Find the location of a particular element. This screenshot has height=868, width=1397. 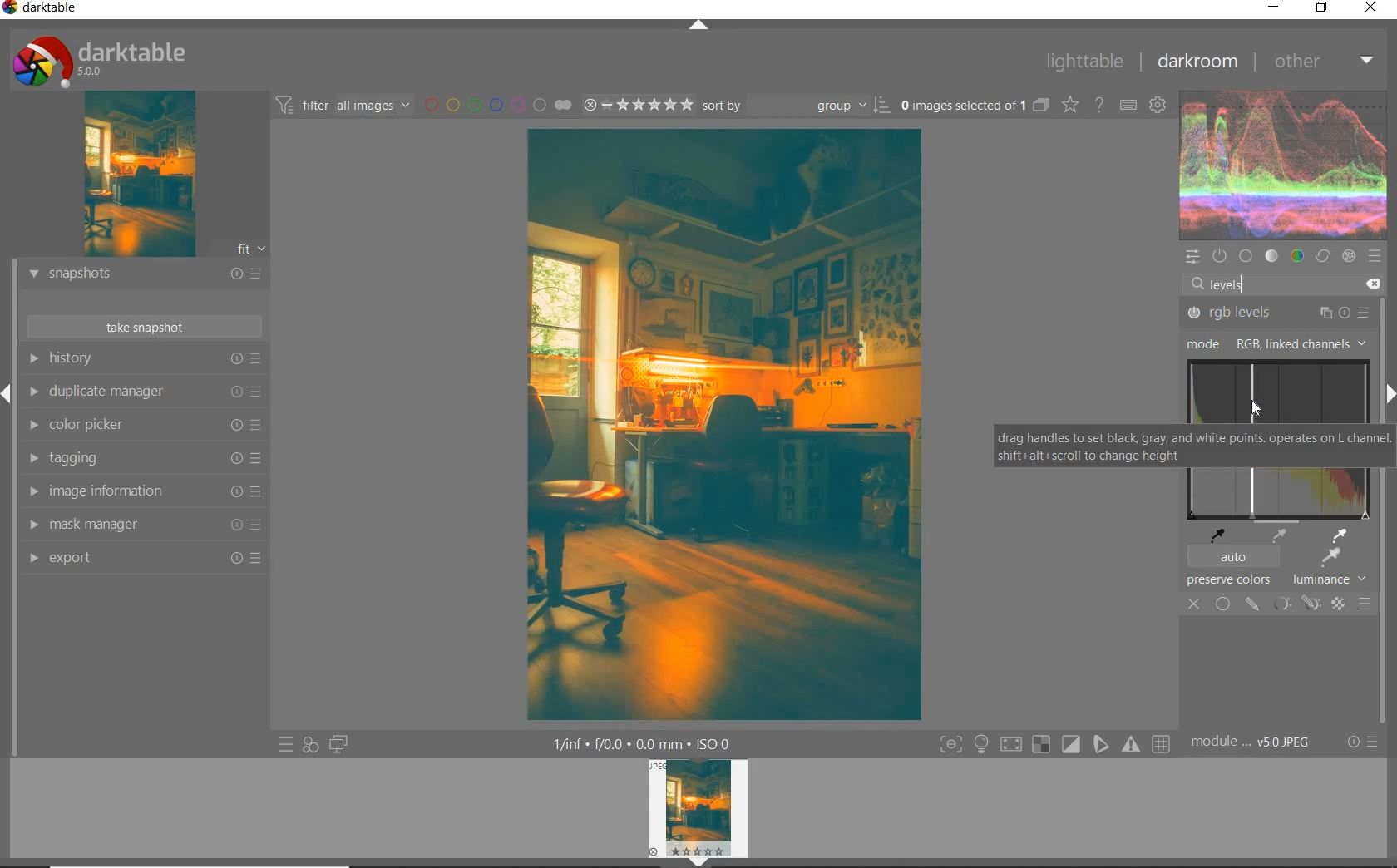

levels is located at coordinates (1226, 284).